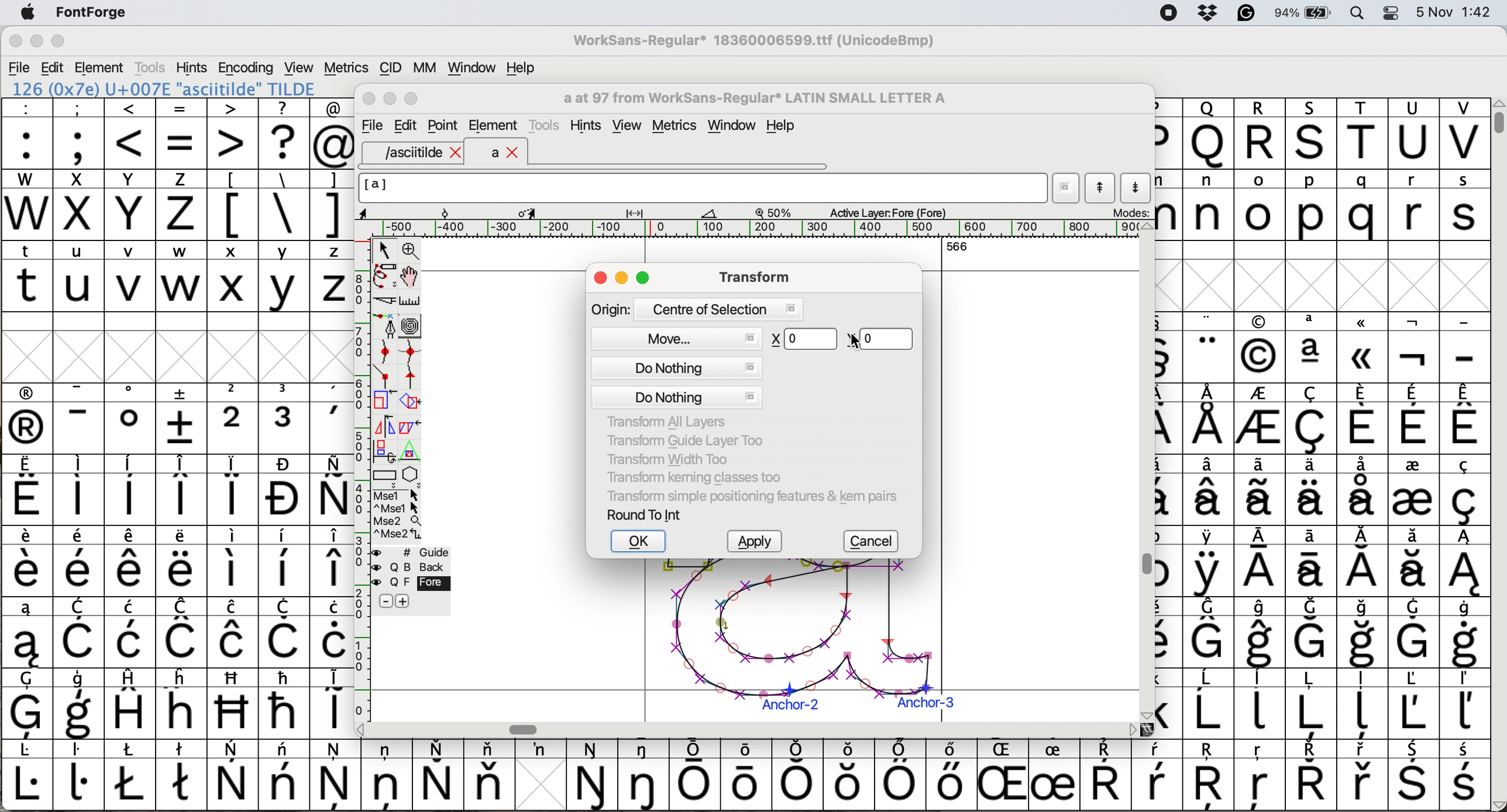 Image resolution: width=1507 pixels, height=812 pixels. Describe the element at coordinates (1413, 419) in the screenshot. I see `symbol` at that location.